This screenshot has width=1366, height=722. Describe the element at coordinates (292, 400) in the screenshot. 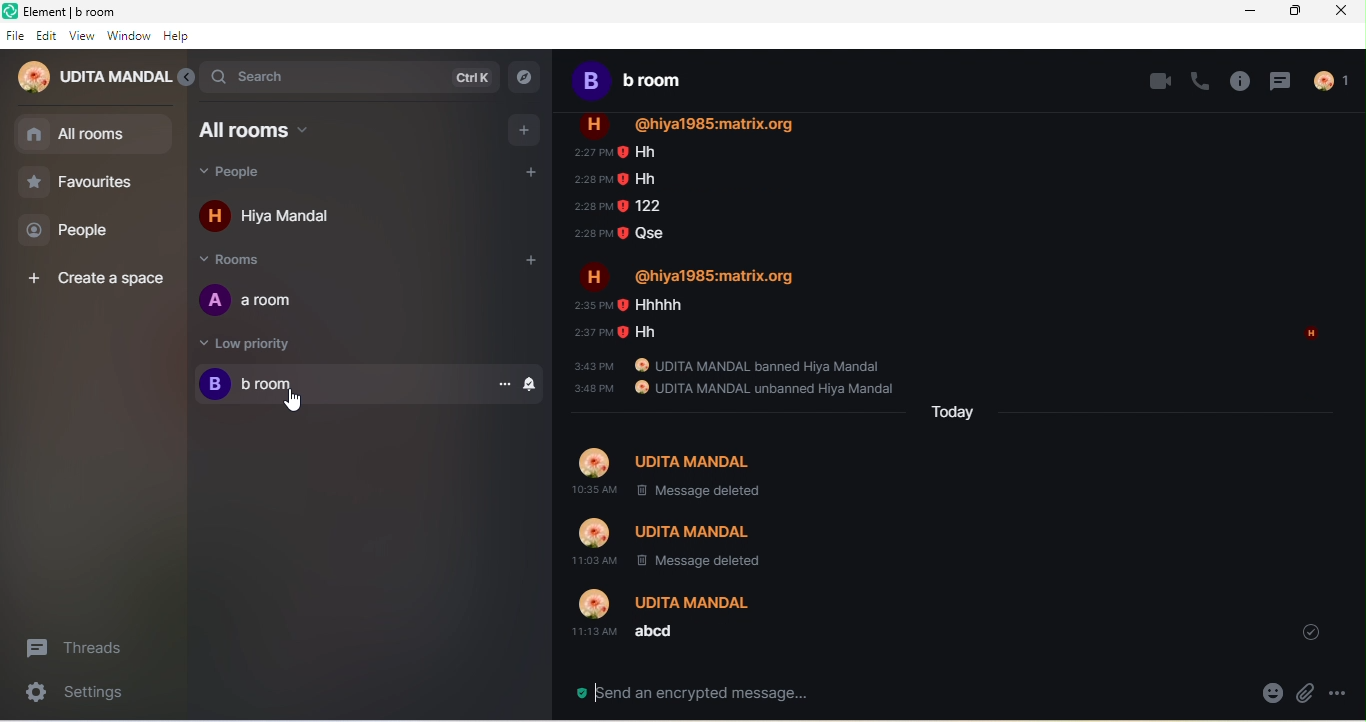

I see `Cursor` at that location.